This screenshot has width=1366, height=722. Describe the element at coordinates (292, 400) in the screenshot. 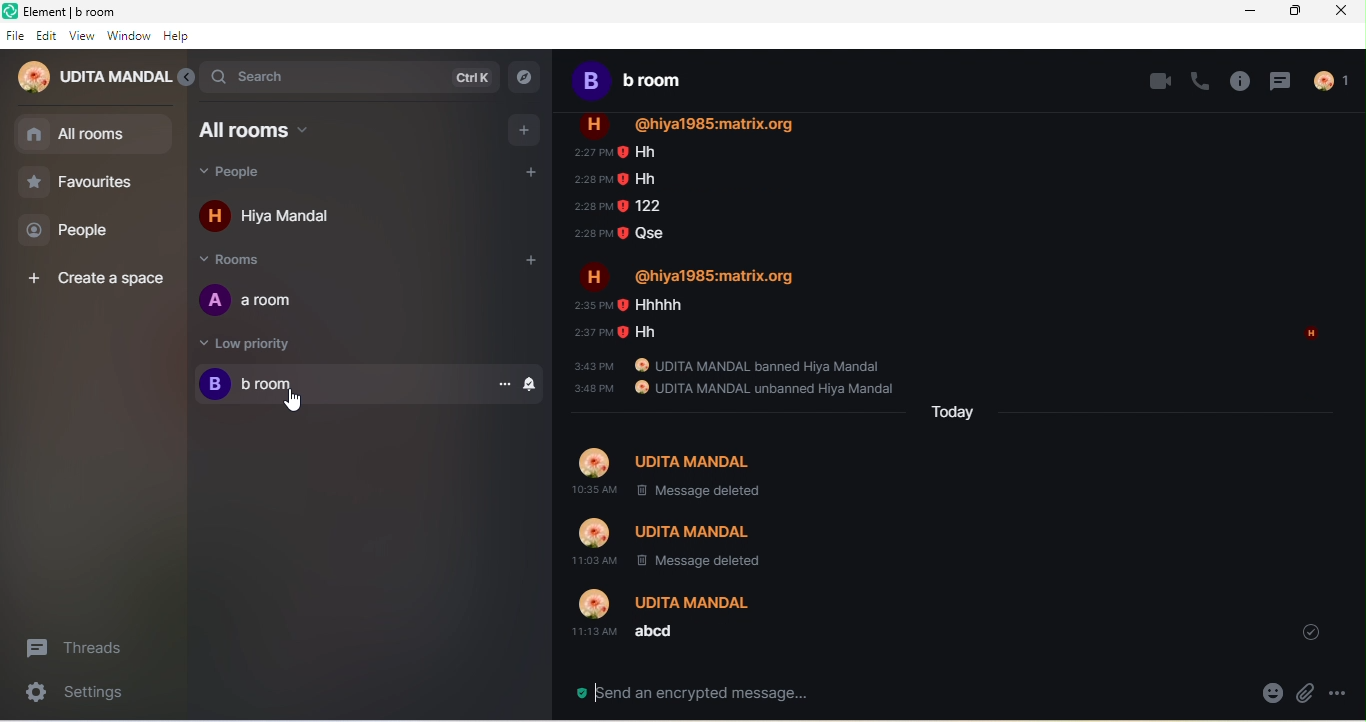

I see `Cursor` at that location.